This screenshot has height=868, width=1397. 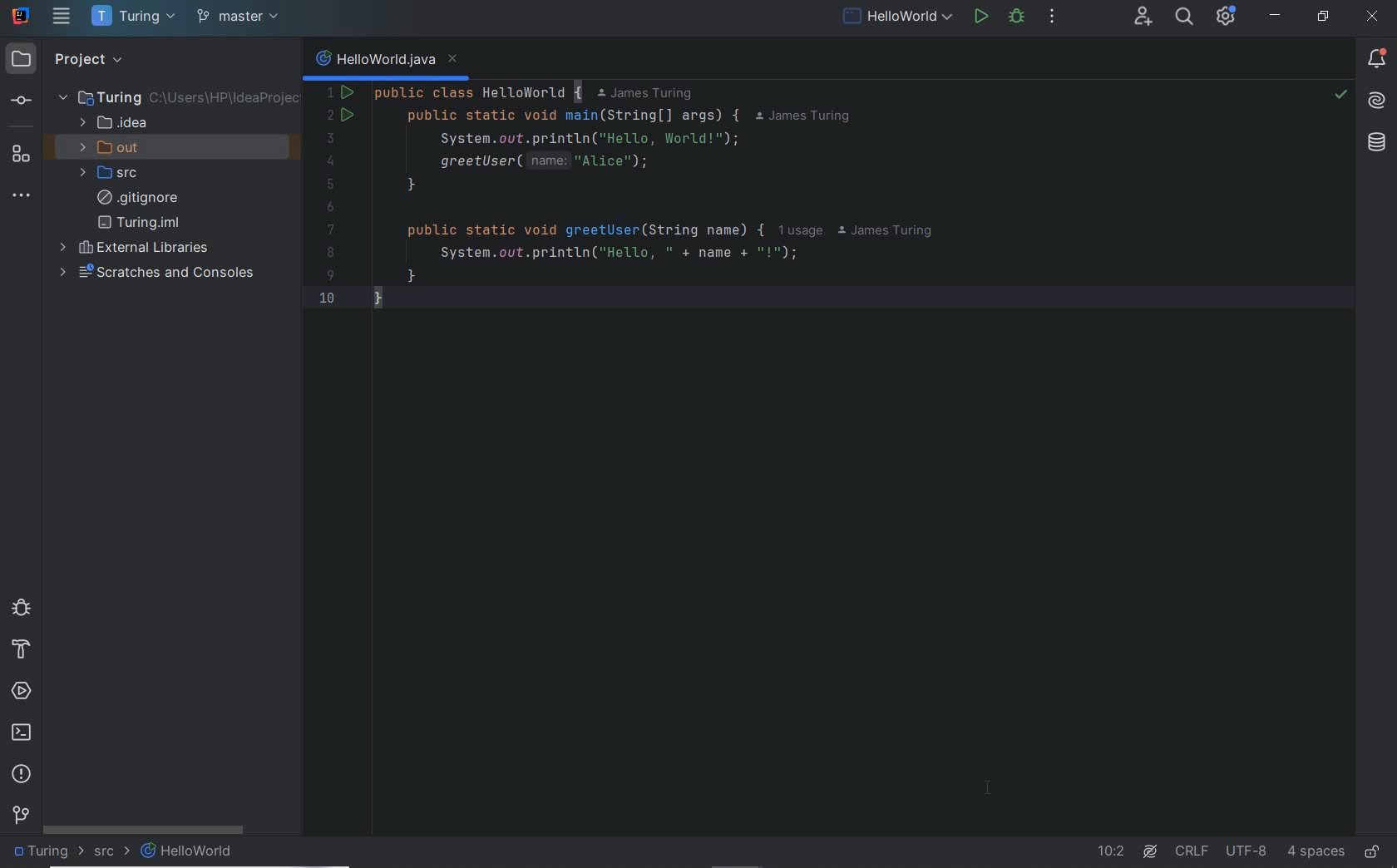 I want to click on commit, so click(x=20, y=102).